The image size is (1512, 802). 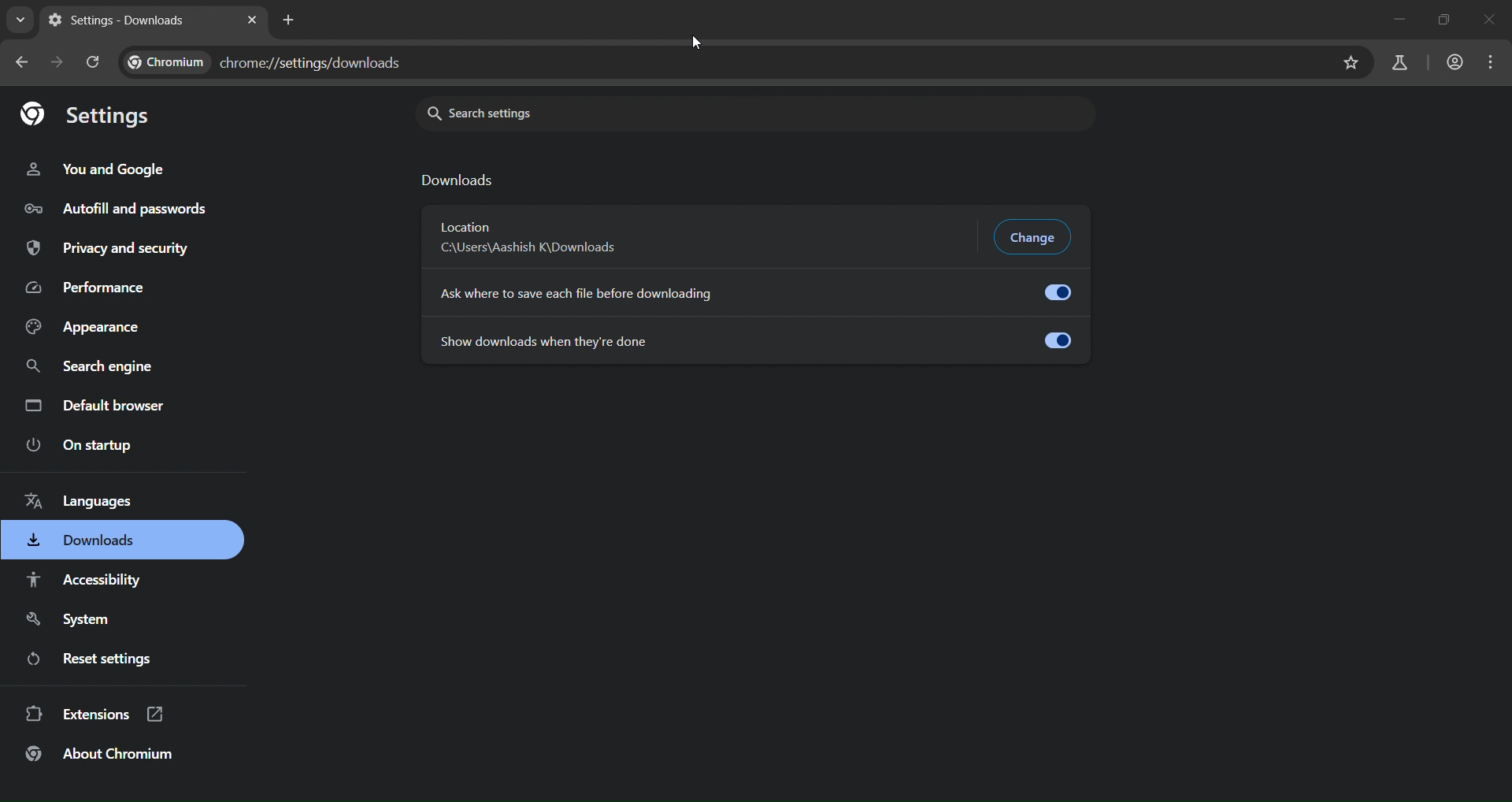 What do you see at coordinates (84, 328) in the screenshot?
I see `appearance` at bounding box center [84, 328].